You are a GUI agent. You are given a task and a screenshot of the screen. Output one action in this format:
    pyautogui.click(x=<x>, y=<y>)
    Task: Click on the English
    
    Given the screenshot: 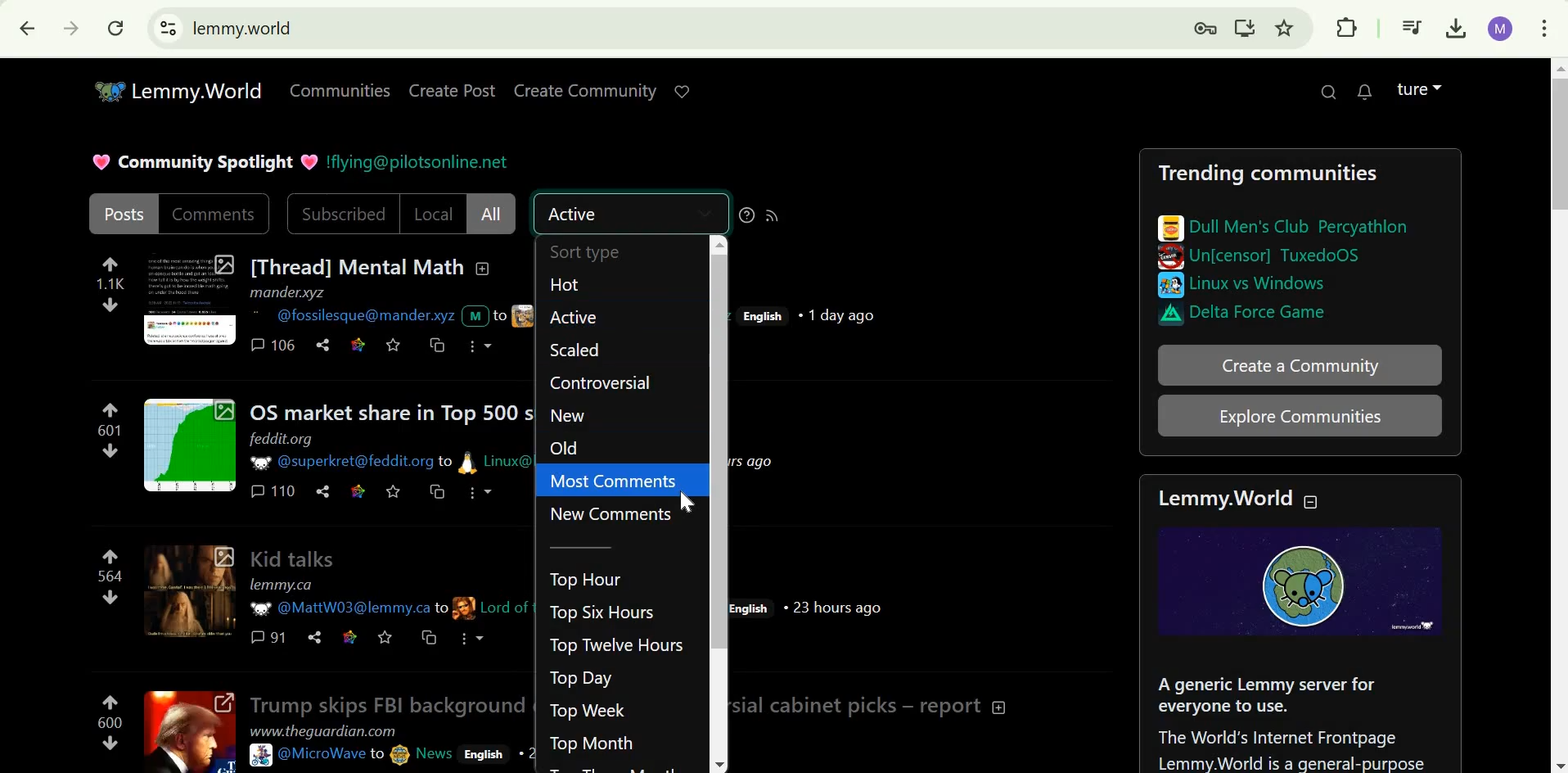 What is the action you would take?
    pyautogui.click(x=761, y=316)
    